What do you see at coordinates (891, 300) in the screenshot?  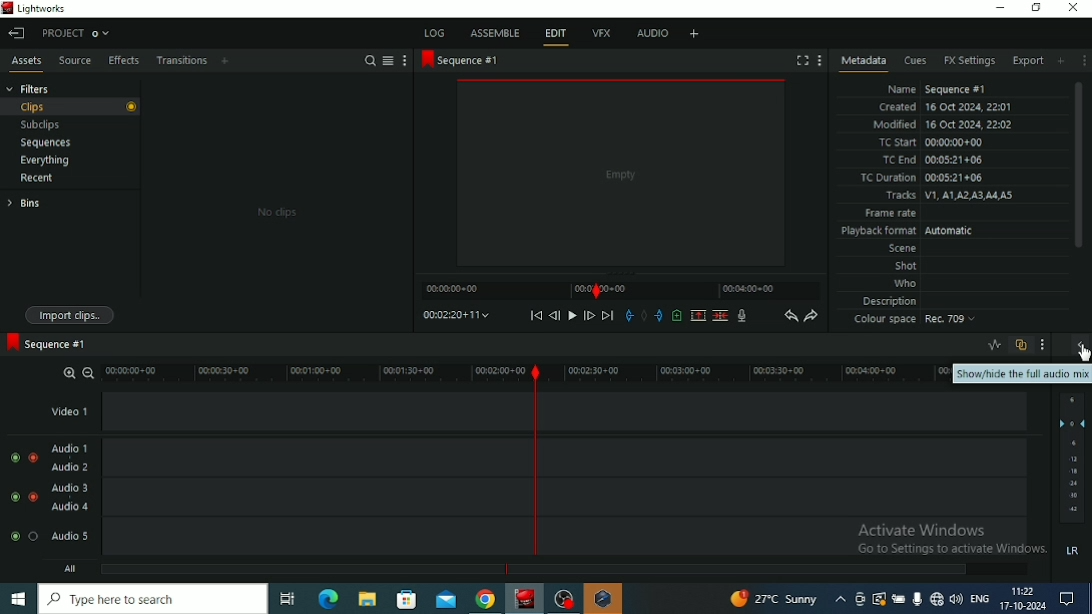 I see `Description` at bounding box center [891, 300].